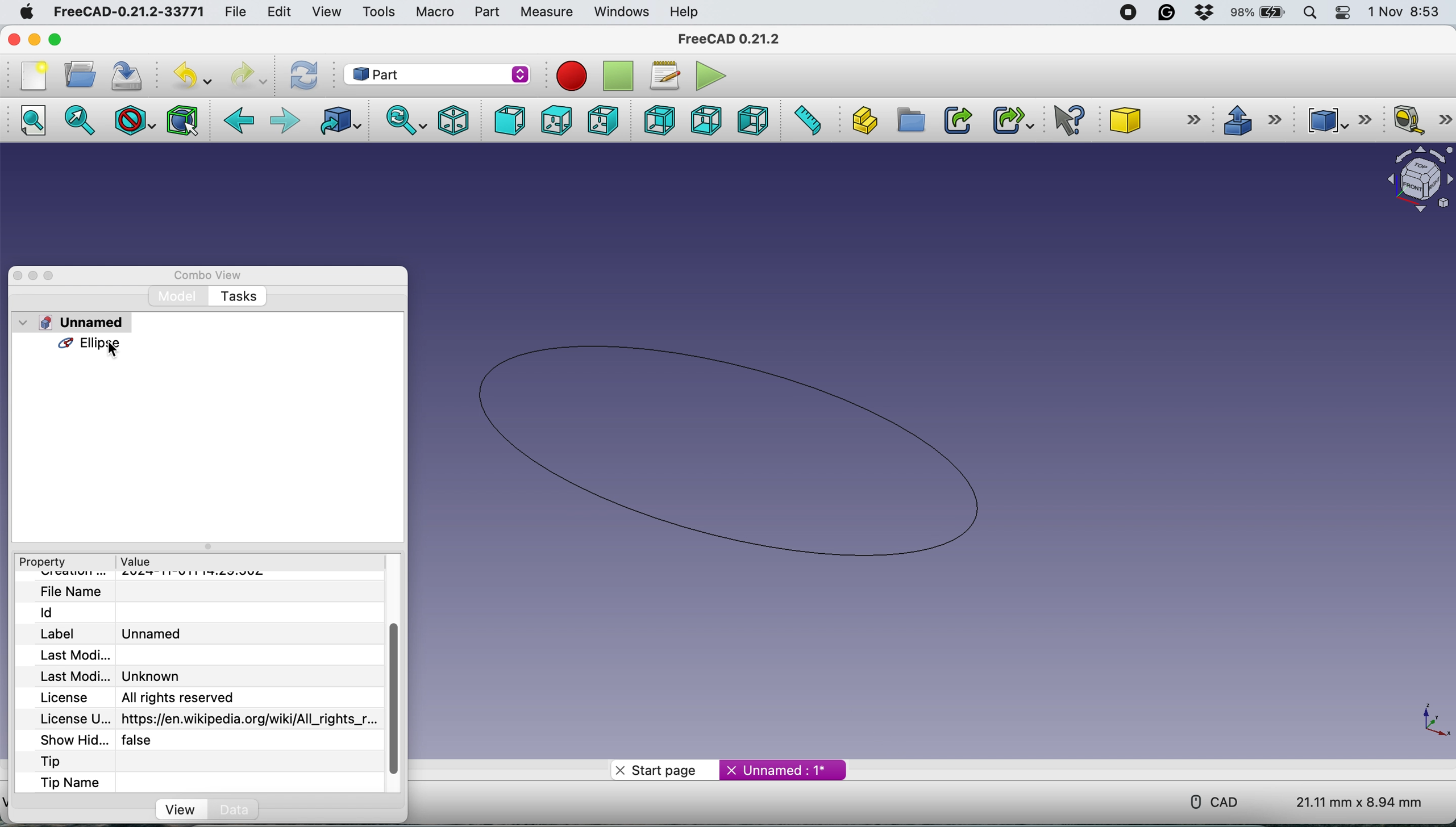 This screenshot has height=827, width=1456. I want to click on ellipse, so click(90, 343).